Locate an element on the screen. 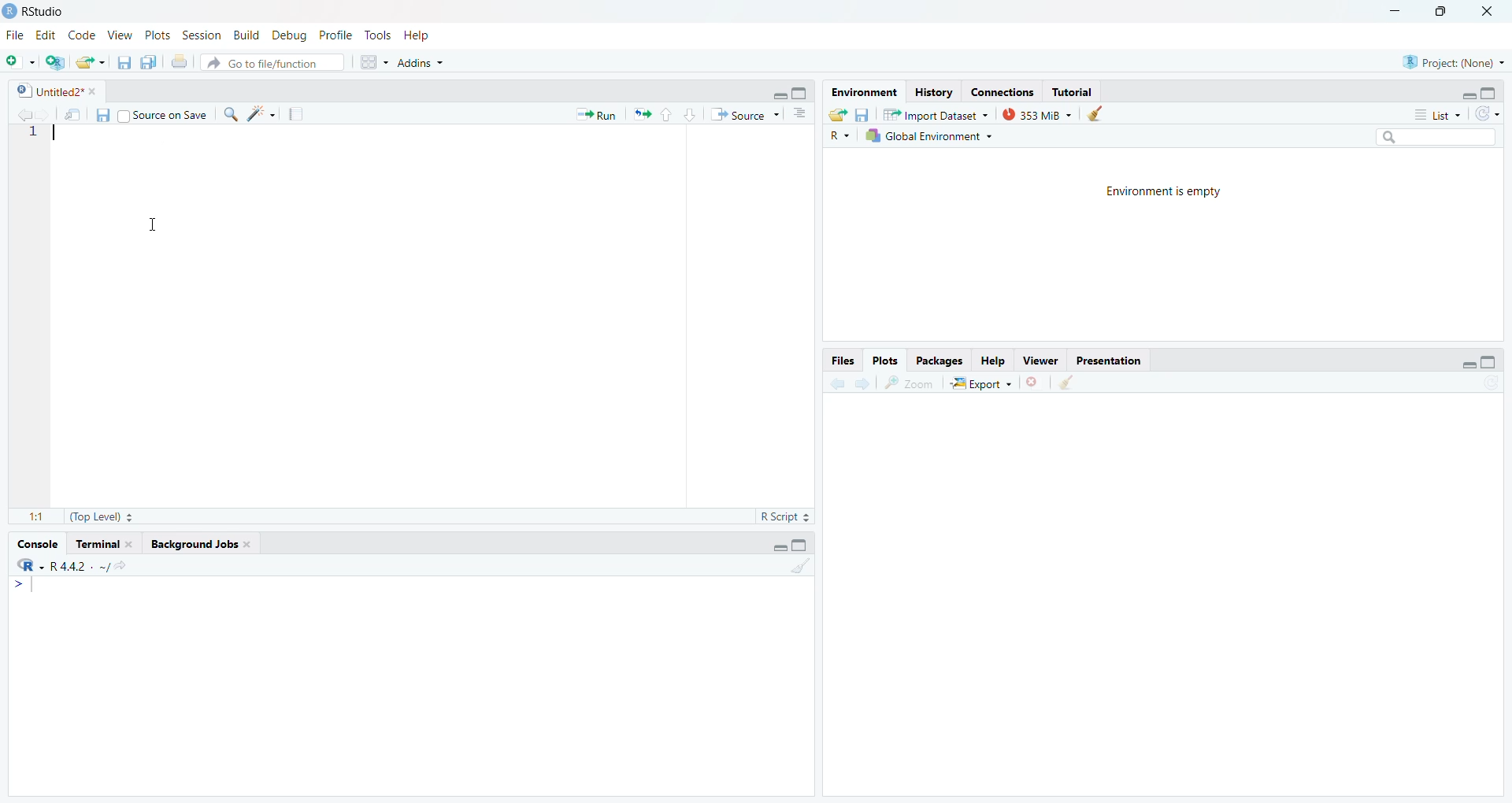 The height and width of the screenshot is (803, 1512). close is located at coordinates (1481, 11).